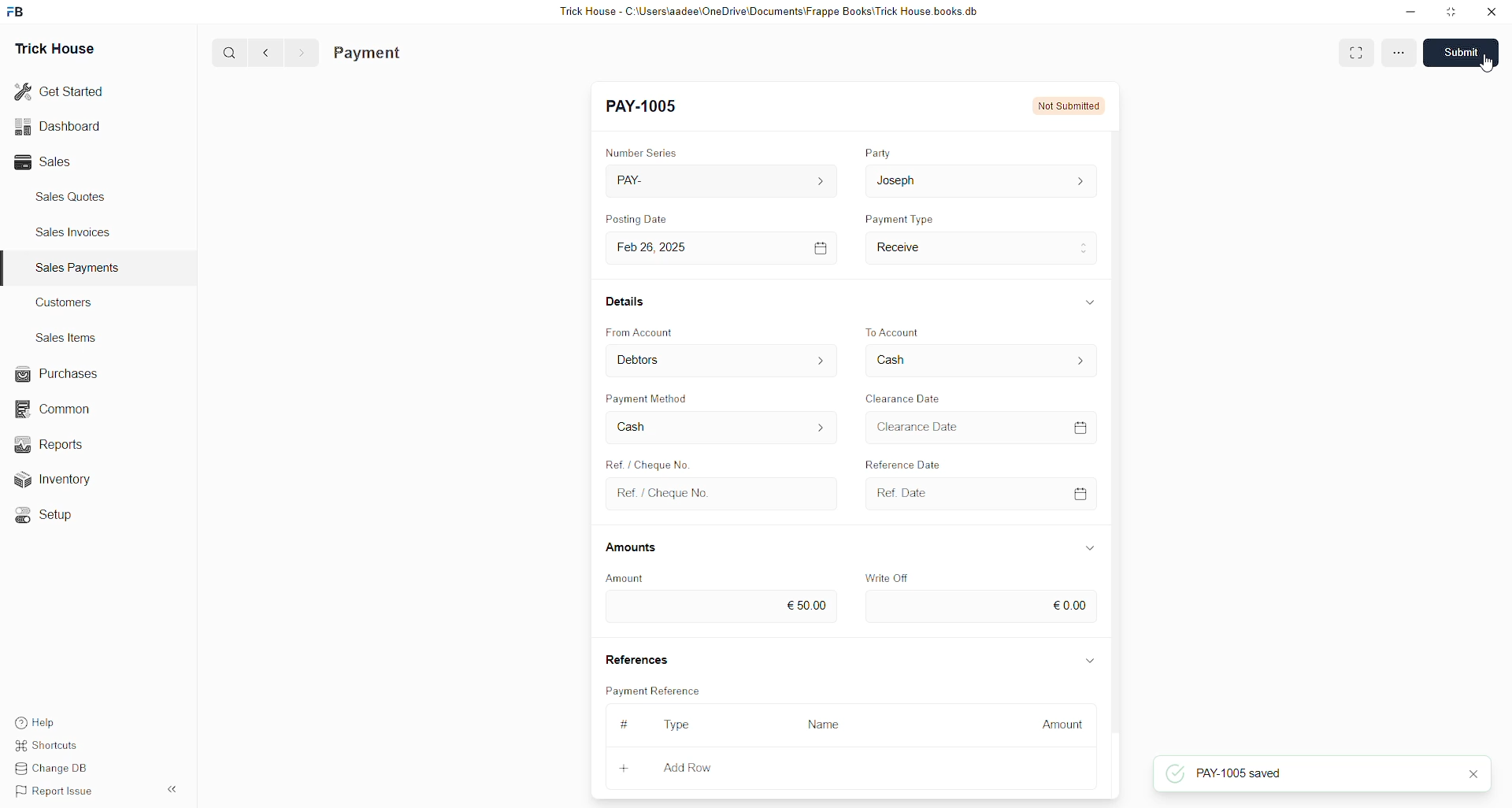  Describe the element at coordinates (626, 579) in the screenshot. I see `Amount` at that location.